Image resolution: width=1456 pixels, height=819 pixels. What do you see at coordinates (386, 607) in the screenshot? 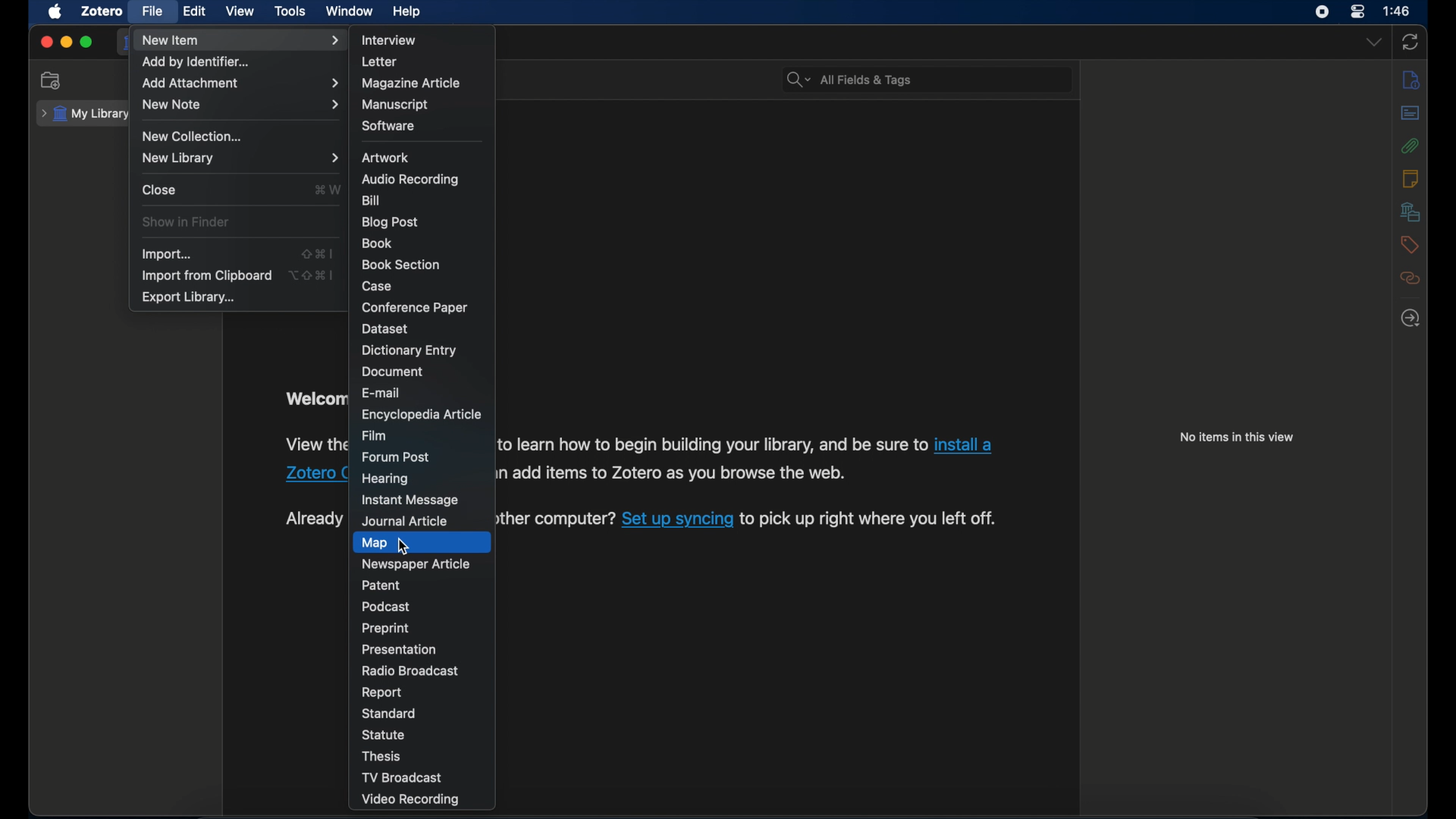
I see `podcast` at bounding box center [386, 607].